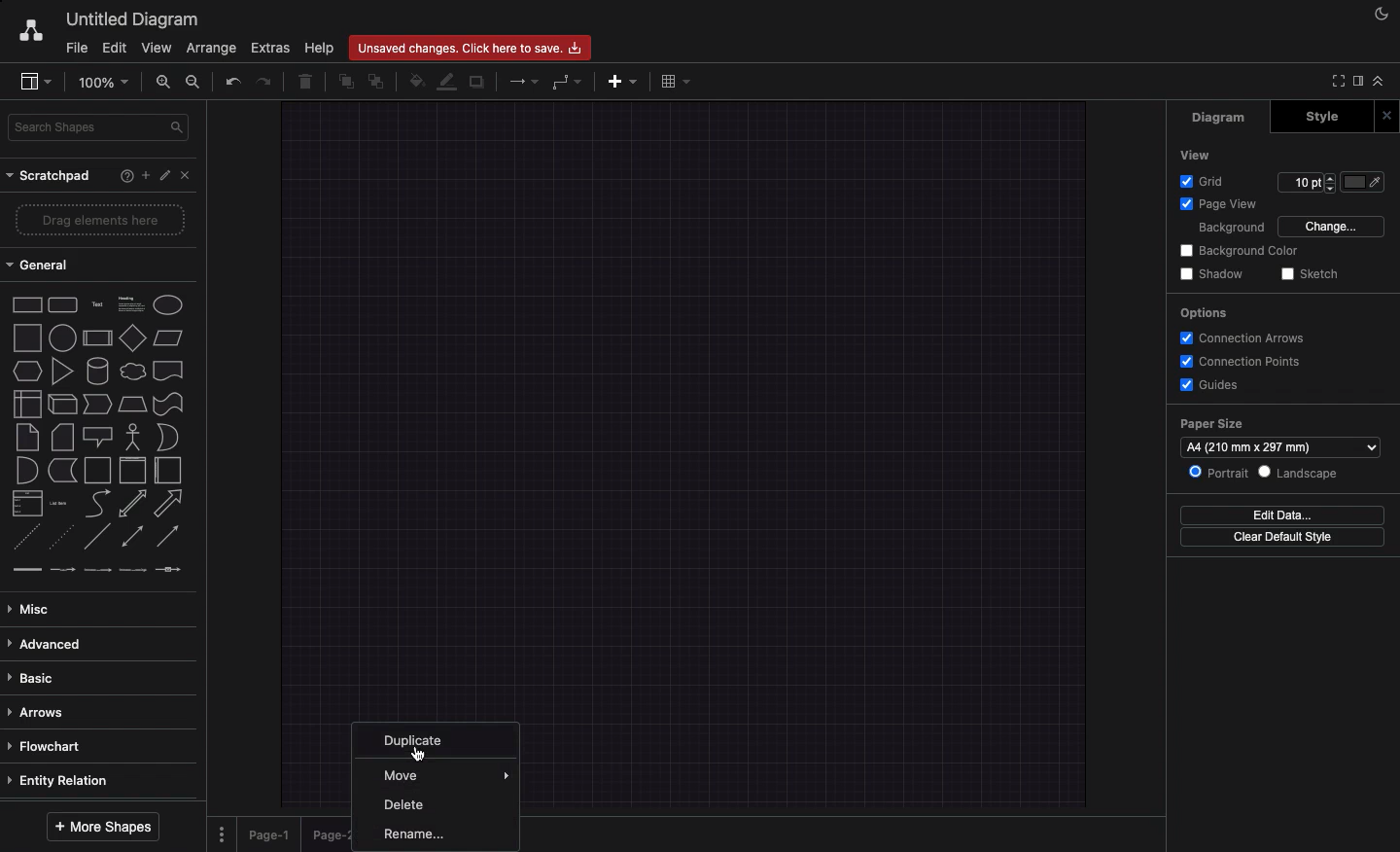 This screenshot has height=852, width=1400. Describe the element at coordinates (46, 645) in the screenshot. I see `Advanced` at that location.